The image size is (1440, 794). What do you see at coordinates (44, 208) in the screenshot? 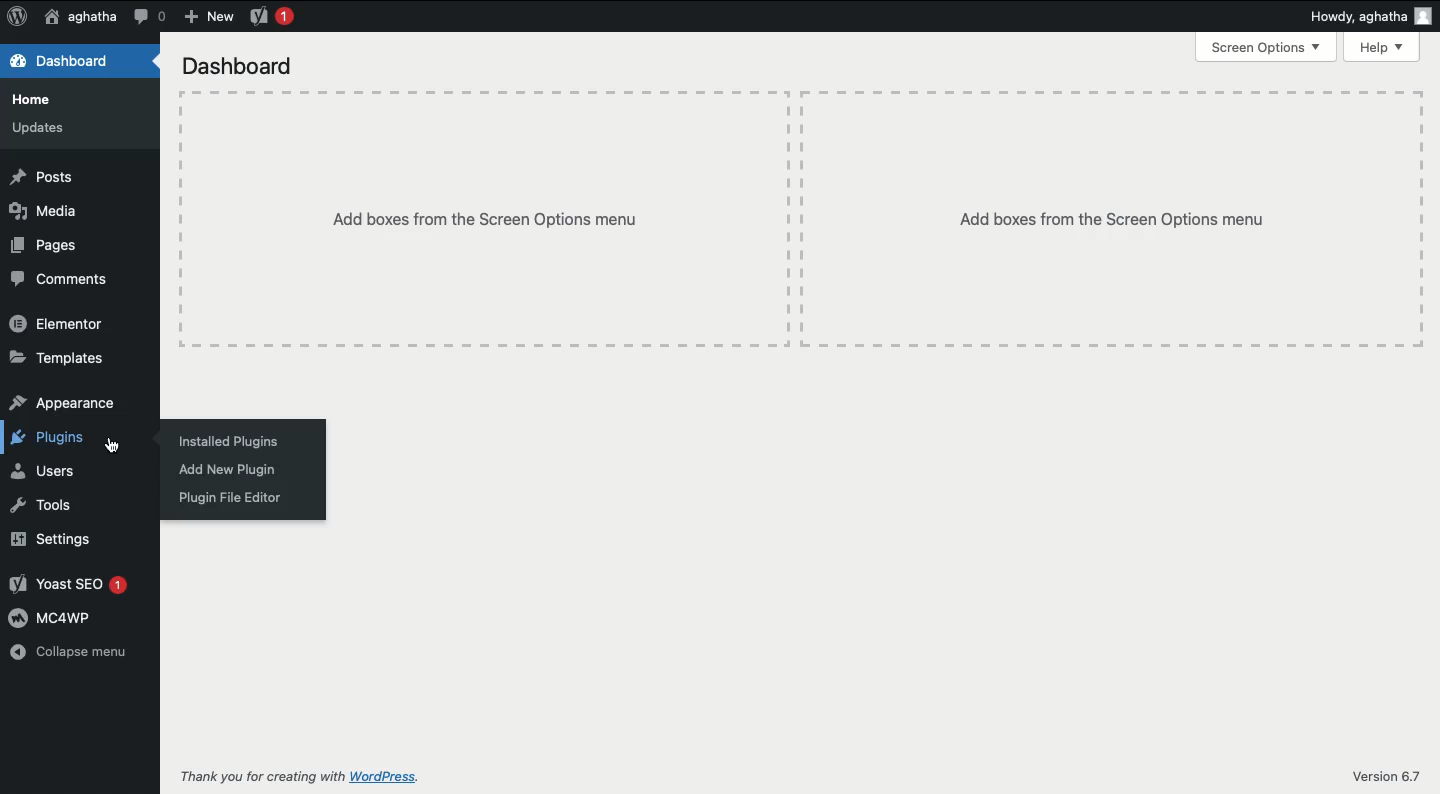
I see `Media` at bounding box center [44, 208].